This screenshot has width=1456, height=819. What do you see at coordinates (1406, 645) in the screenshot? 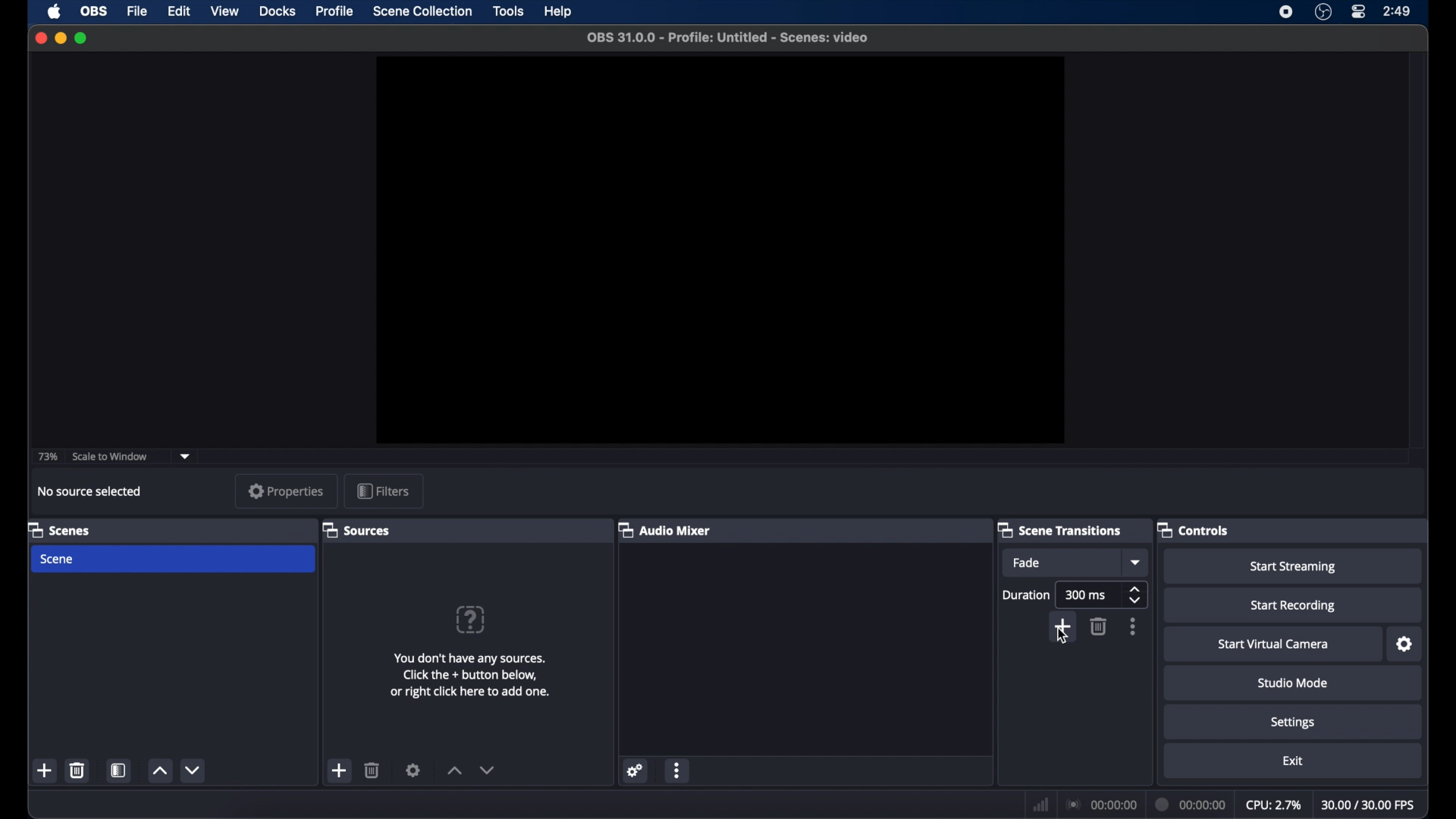
I see `settings` at bounding box center [1406, 645].